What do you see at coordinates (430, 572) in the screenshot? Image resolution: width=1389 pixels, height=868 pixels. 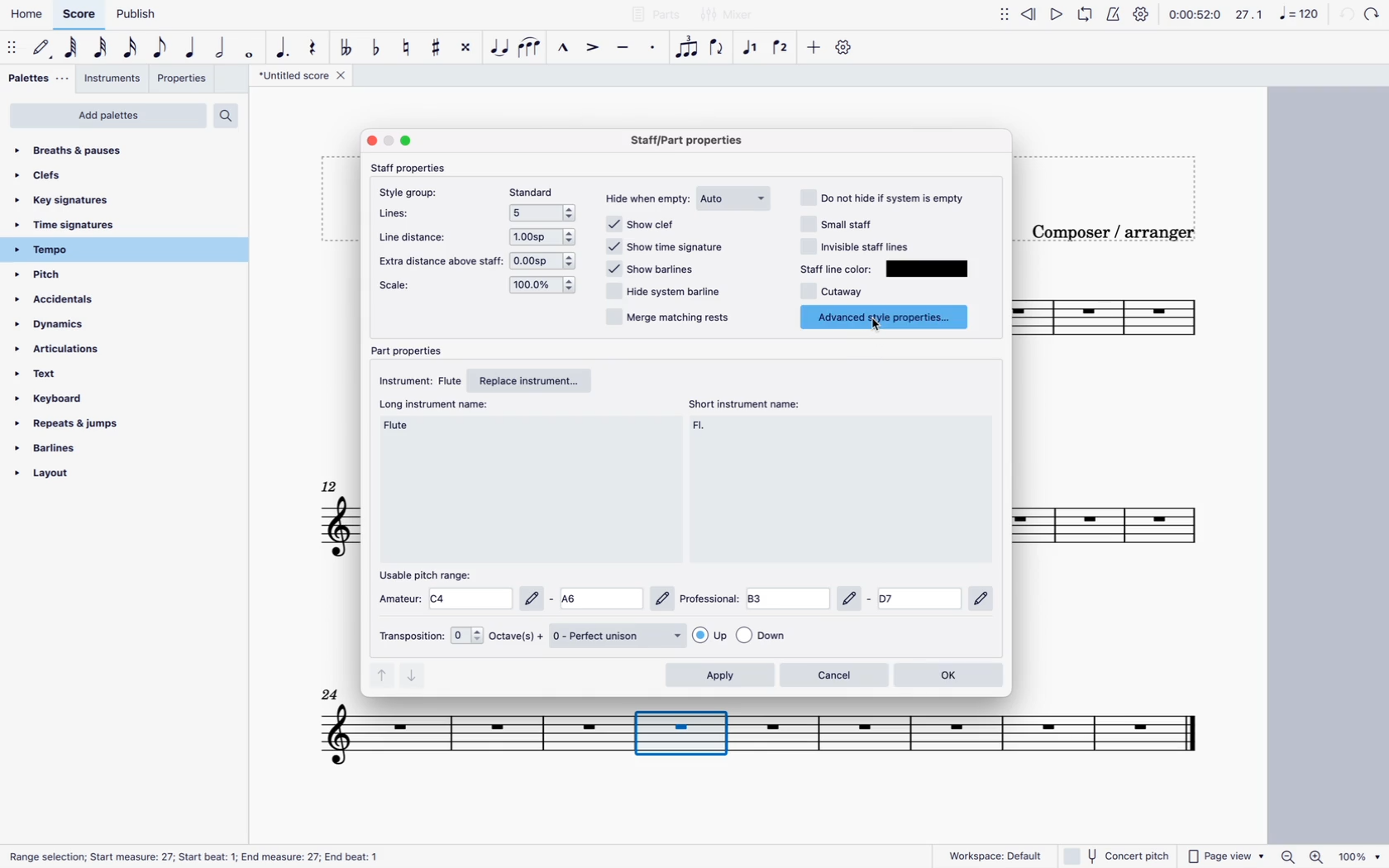 I see `usable pitch range` at bounding box center [430, 572].